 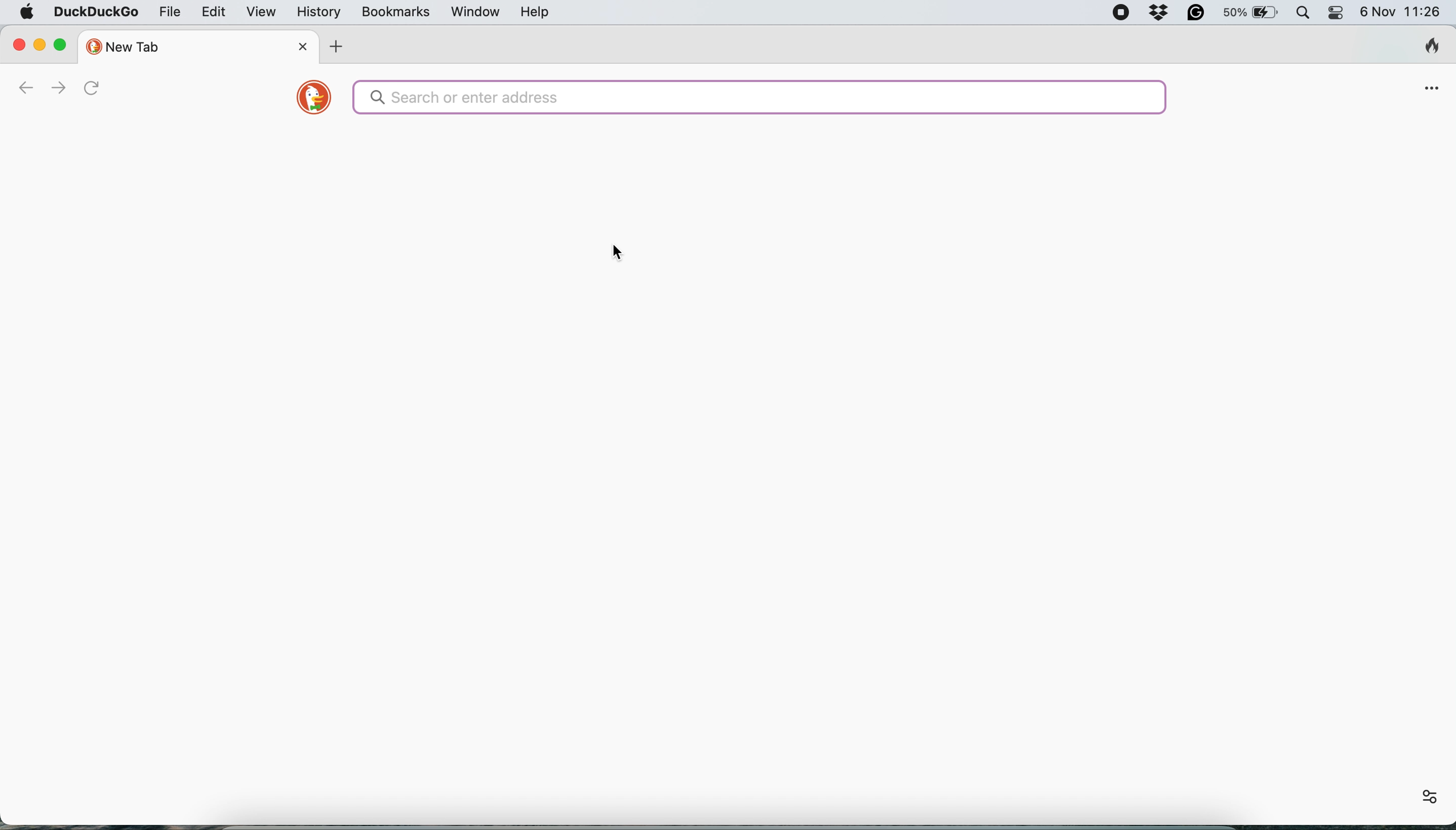 I want to click on dropbox, so click(x=1154, y=13).